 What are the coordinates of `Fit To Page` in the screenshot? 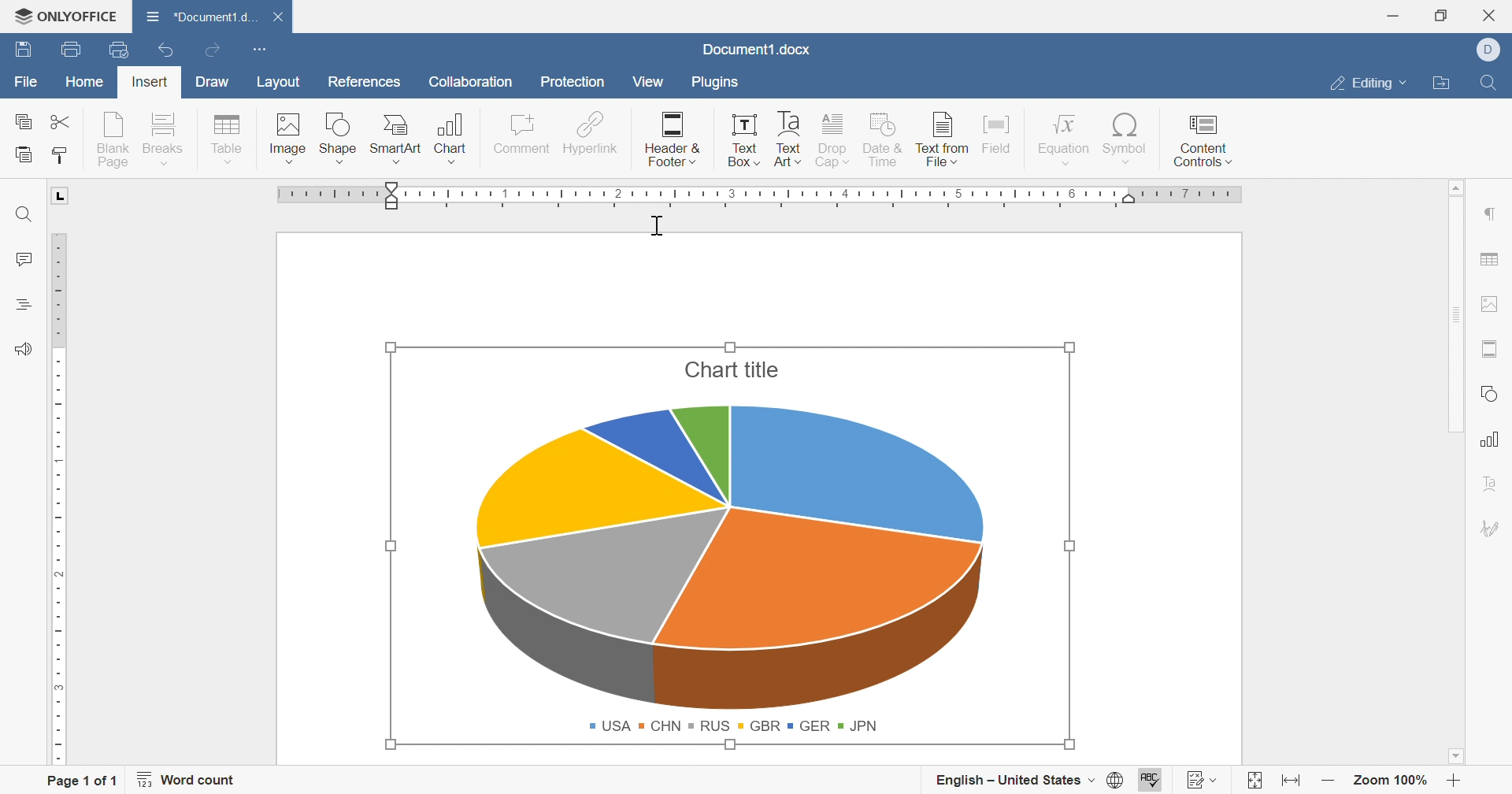 It's located at (1251, 779).